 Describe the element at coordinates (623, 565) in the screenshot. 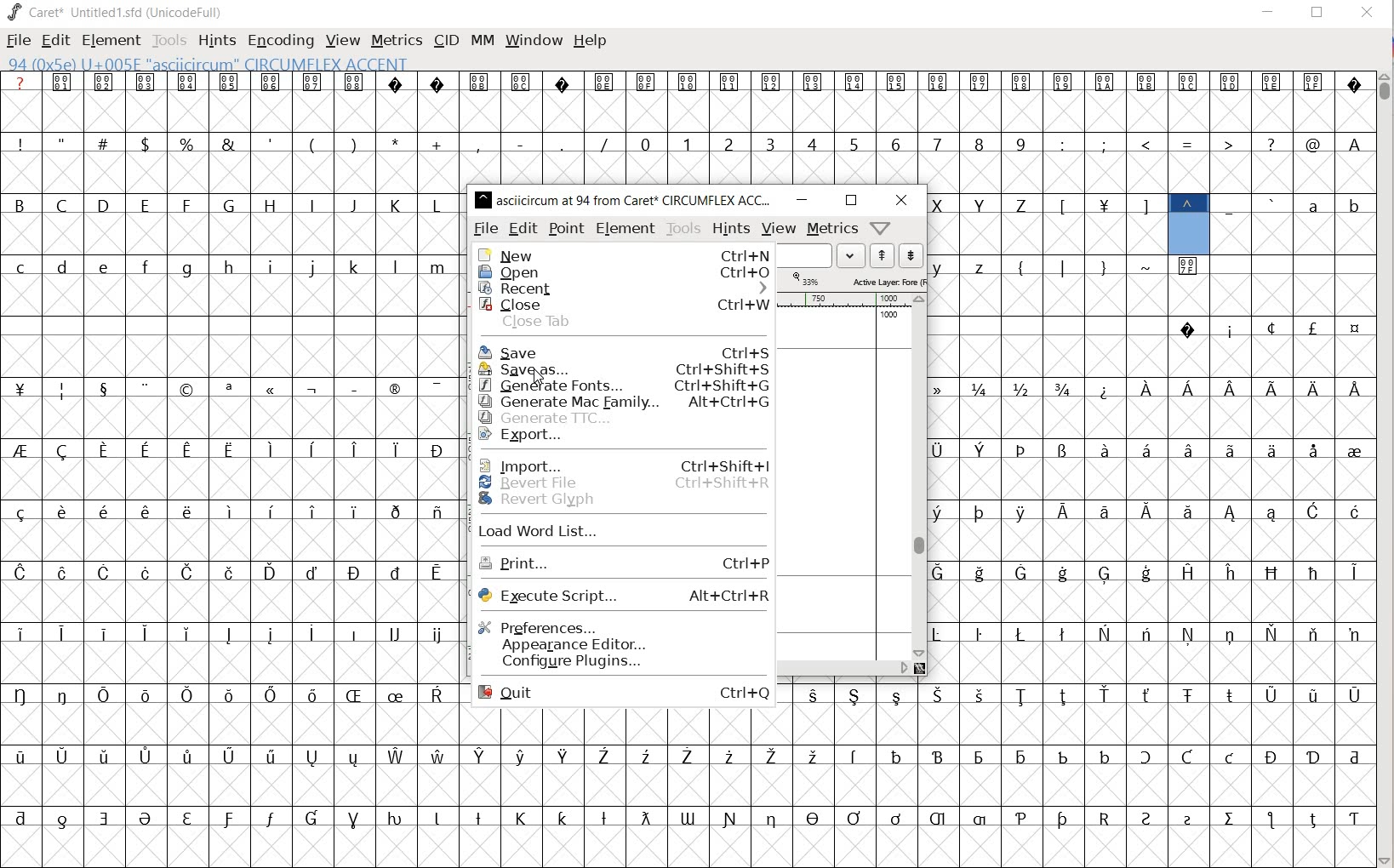

I see `Print` at that location.